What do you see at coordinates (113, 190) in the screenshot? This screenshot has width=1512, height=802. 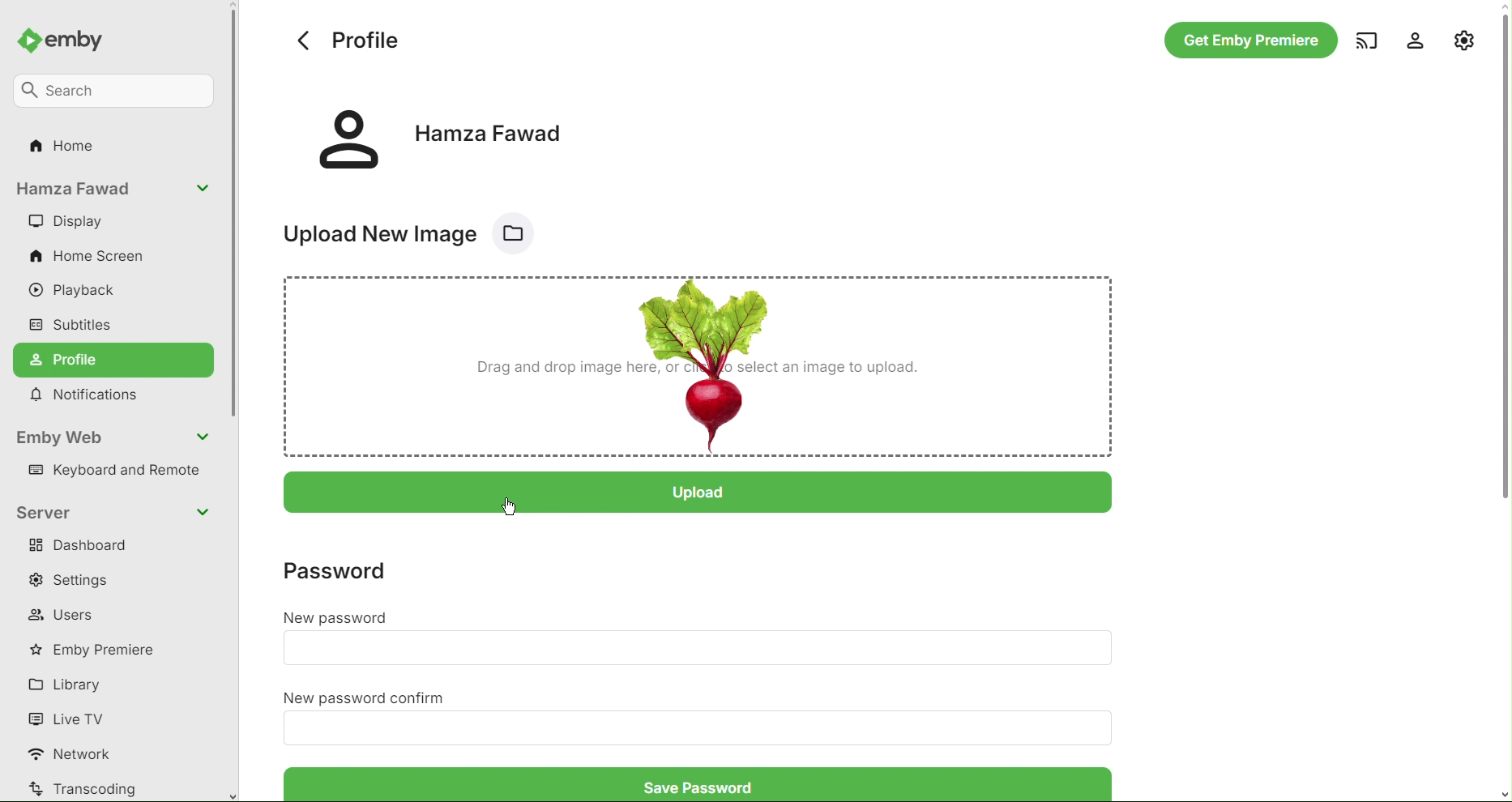 I see `Account` at bounding box center [113, 190].